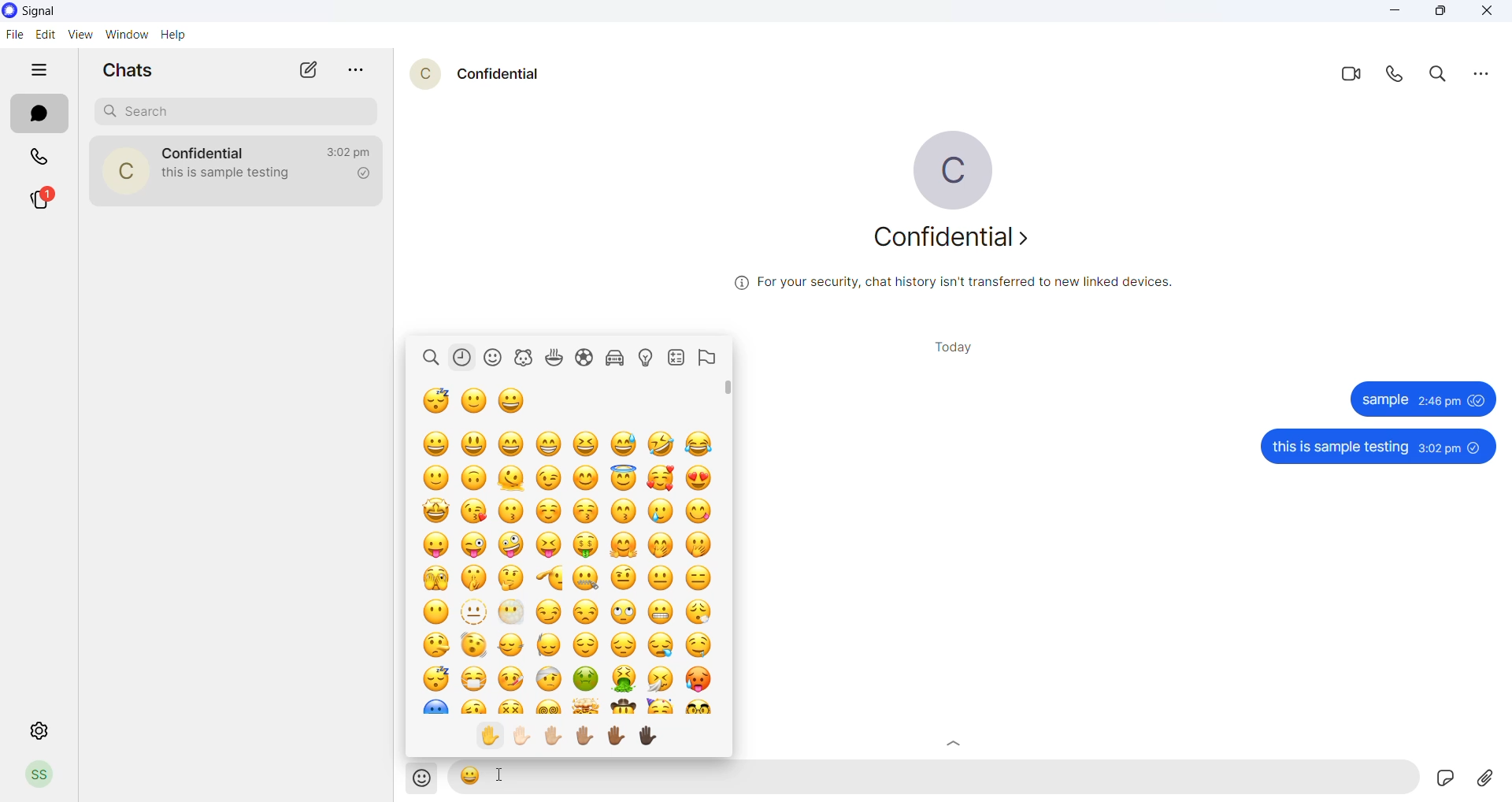 The height and width of the screenshot is (802, 1512). Describe the element at coordinates (676, 358) in the screenshot. I see `symbol emojis` at that location.